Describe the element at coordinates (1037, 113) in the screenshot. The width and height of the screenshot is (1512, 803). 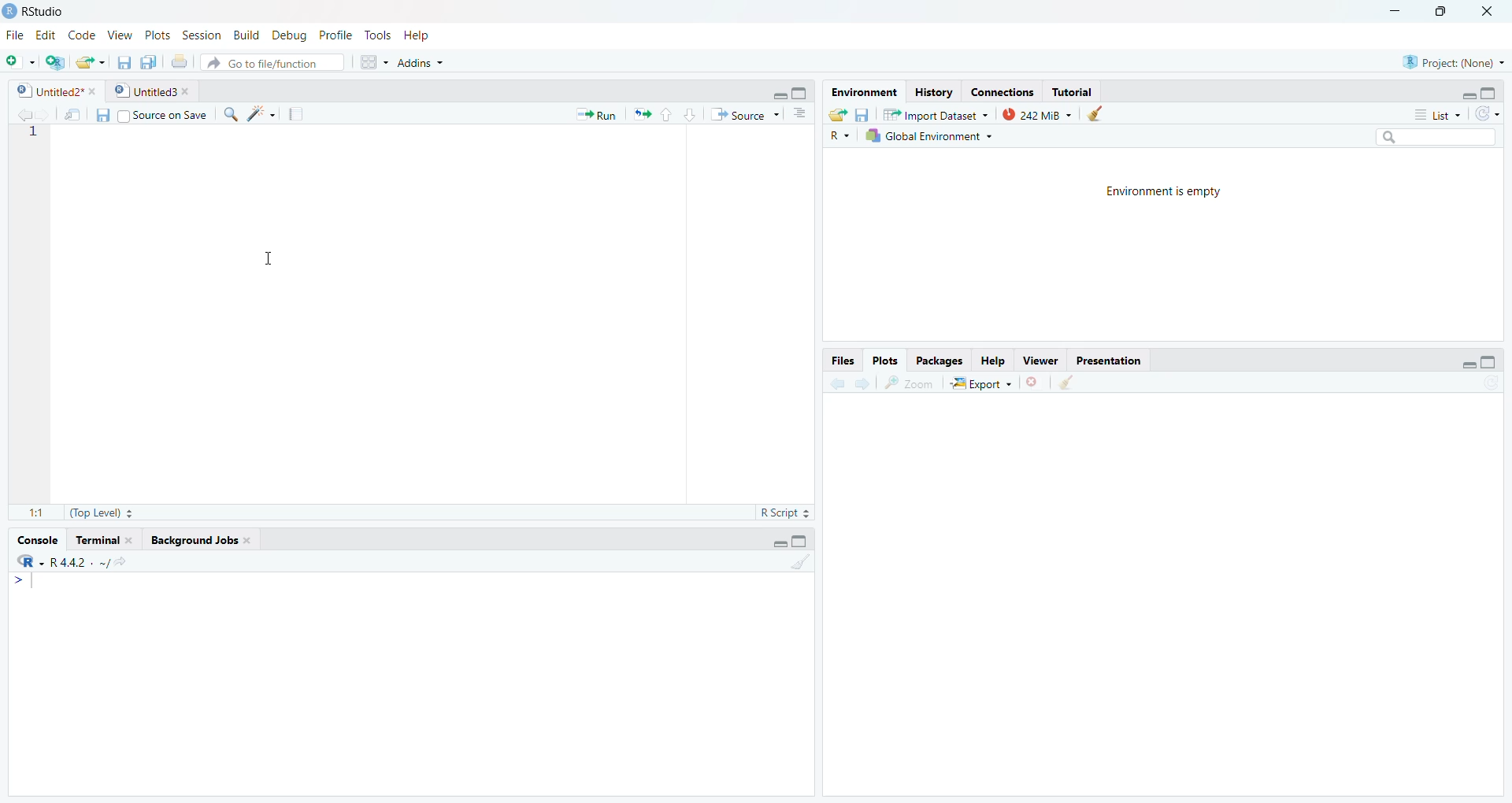
I see `242miB` at that location.